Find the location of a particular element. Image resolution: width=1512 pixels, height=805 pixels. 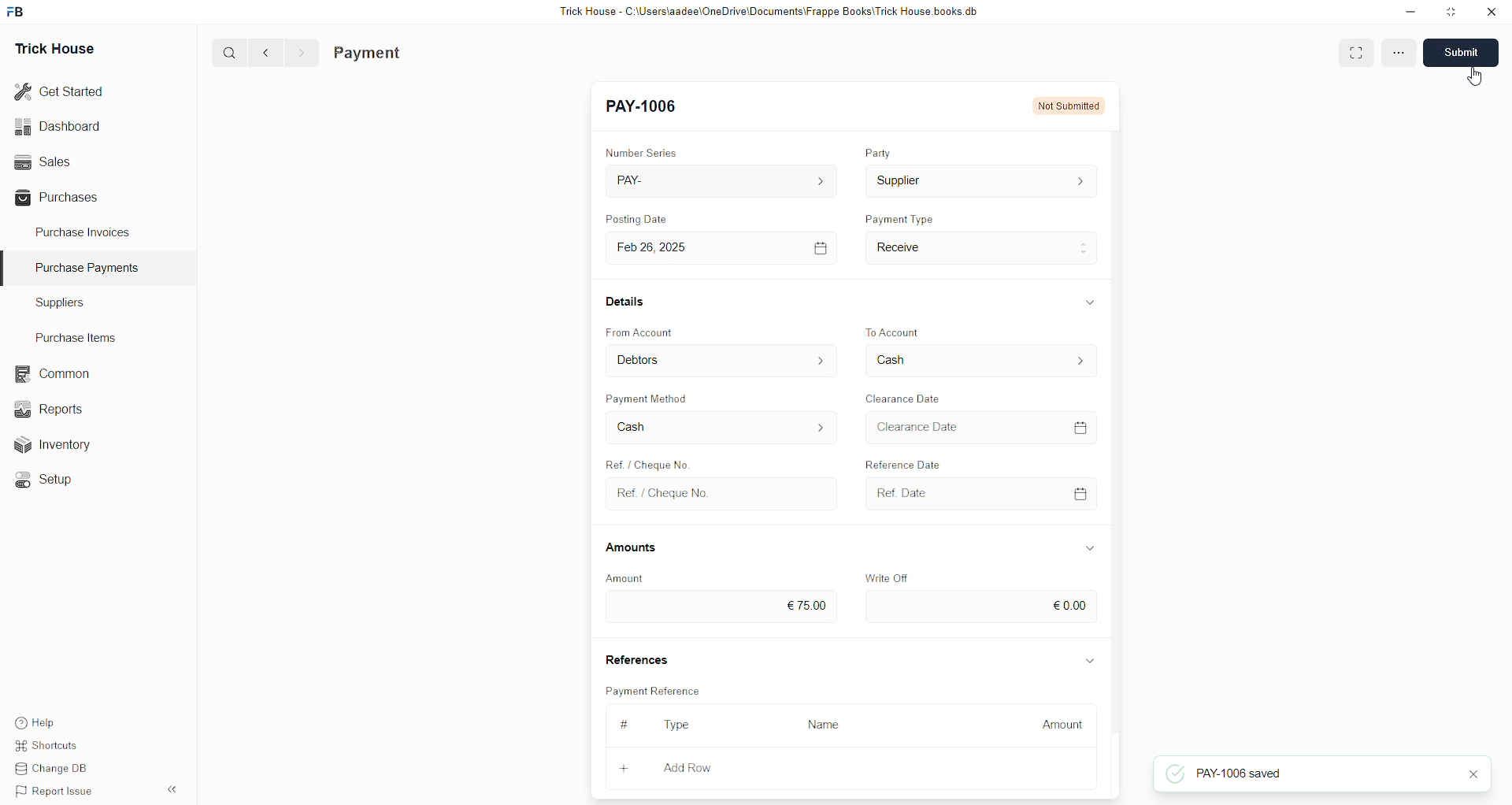

Inventory is located at coordinates (54, 443).